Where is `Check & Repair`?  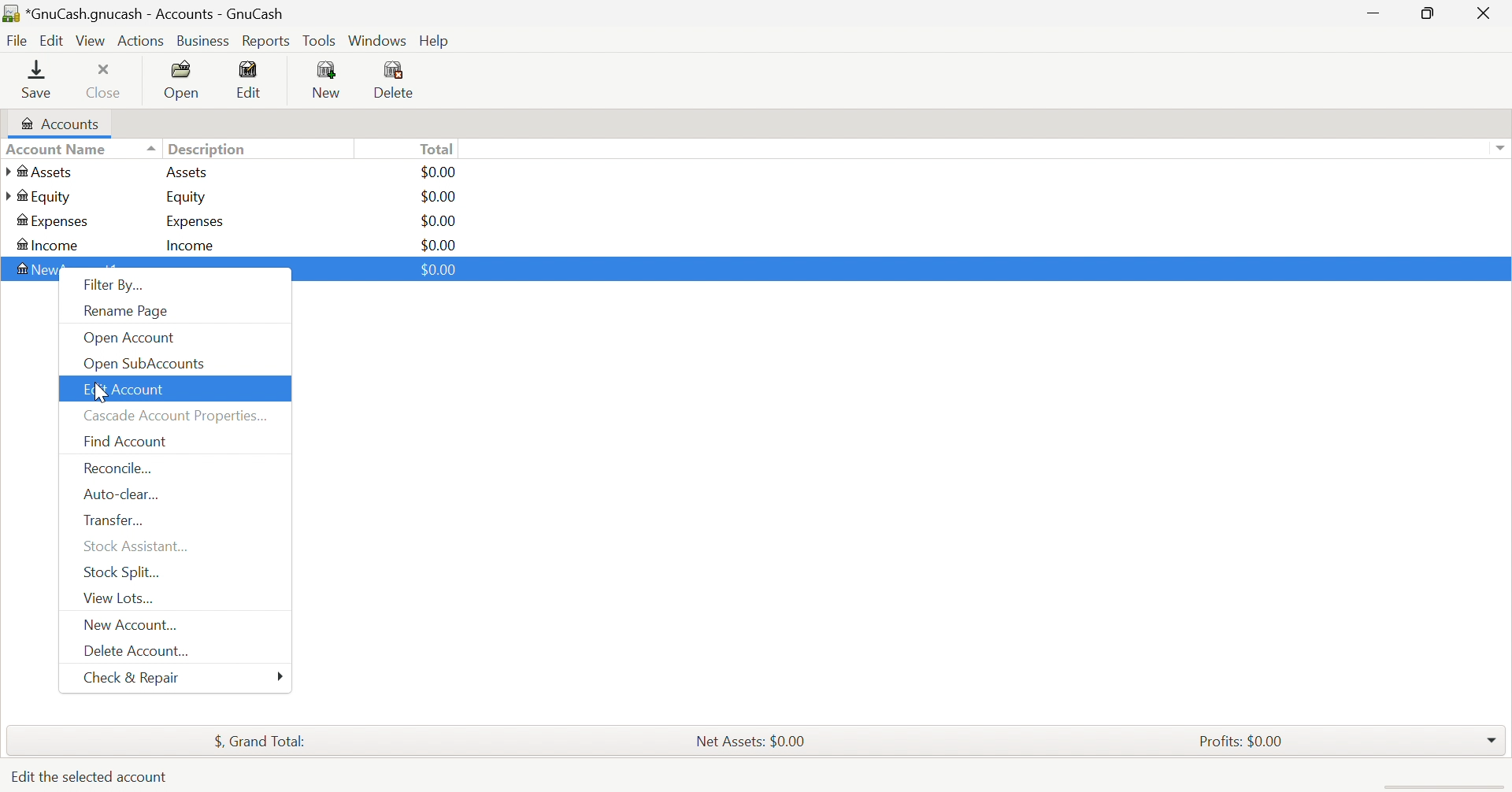 Check & Repair is located at coordinates (136, 676).